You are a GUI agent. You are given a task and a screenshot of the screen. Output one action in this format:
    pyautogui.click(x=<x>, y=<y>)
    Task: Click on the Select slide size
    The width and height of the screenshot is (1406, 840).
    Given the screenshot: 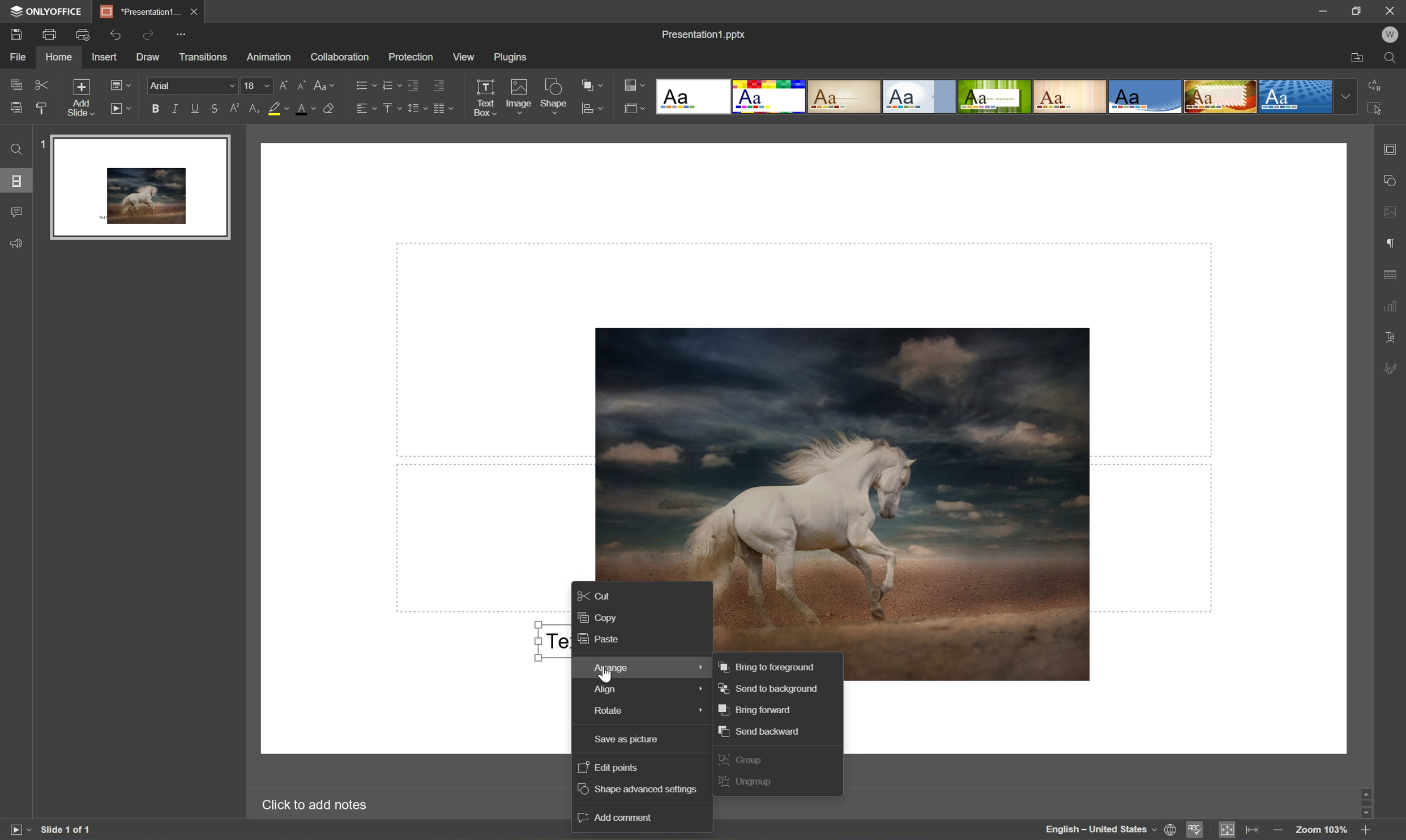 What is the action you would take?
    pyautogui.click(x=635, y=109)
    